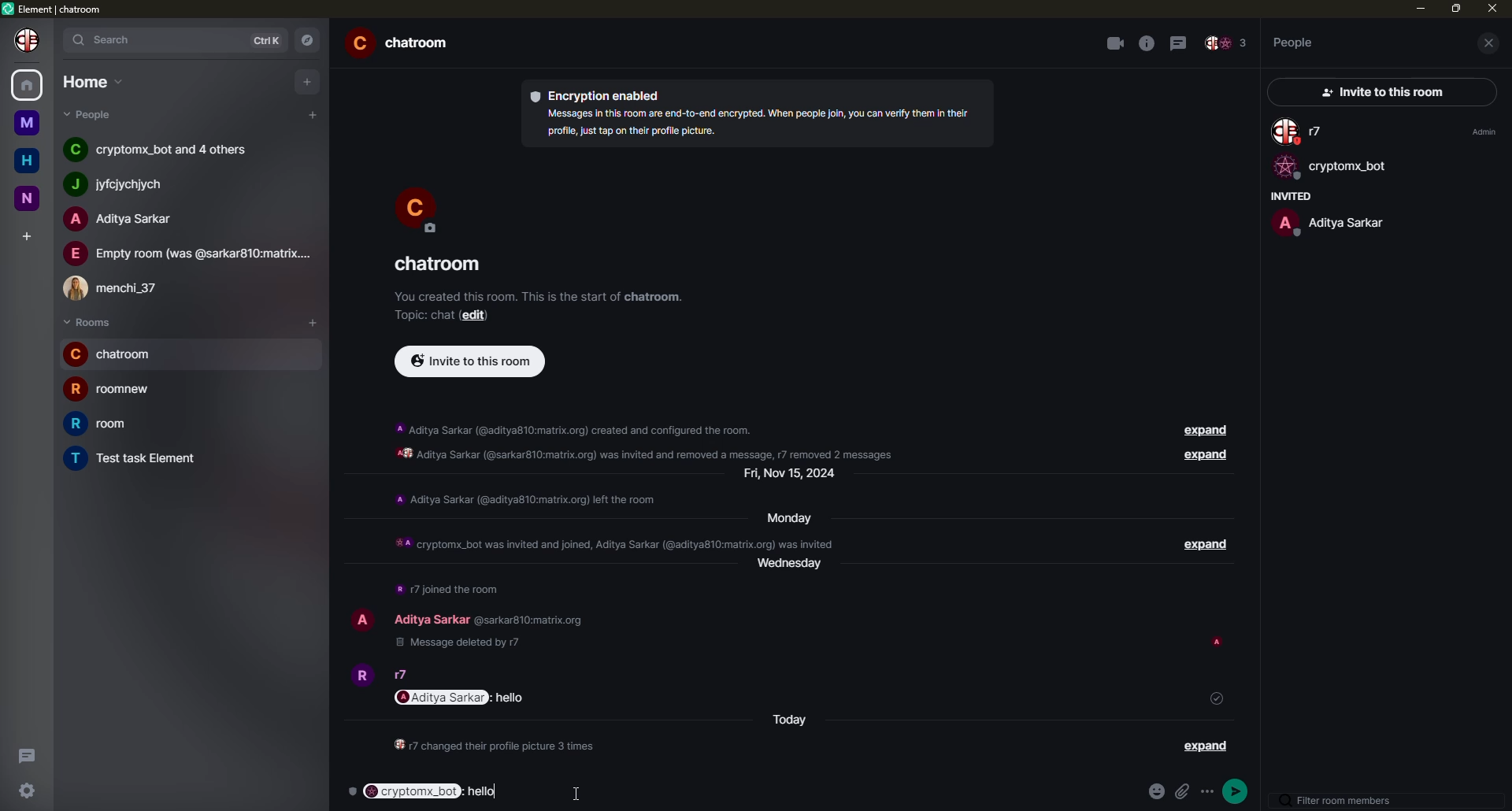  I want to click on invite to this room, so click(470, 360).